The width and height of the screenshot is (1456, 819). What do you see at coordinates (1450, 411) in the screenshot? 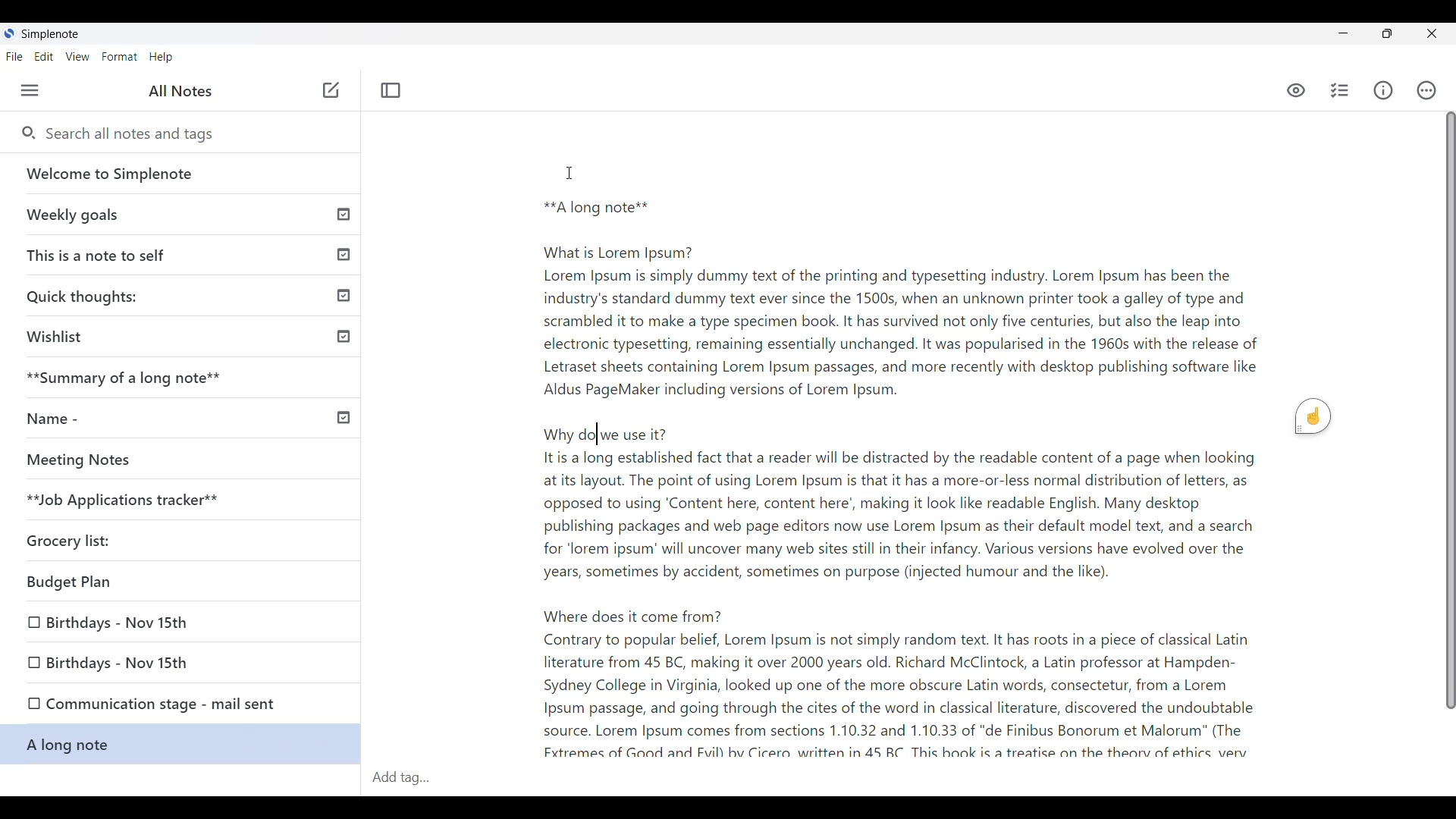
I see `Vertical Scroll bar` at bounding box center [1450, 411].